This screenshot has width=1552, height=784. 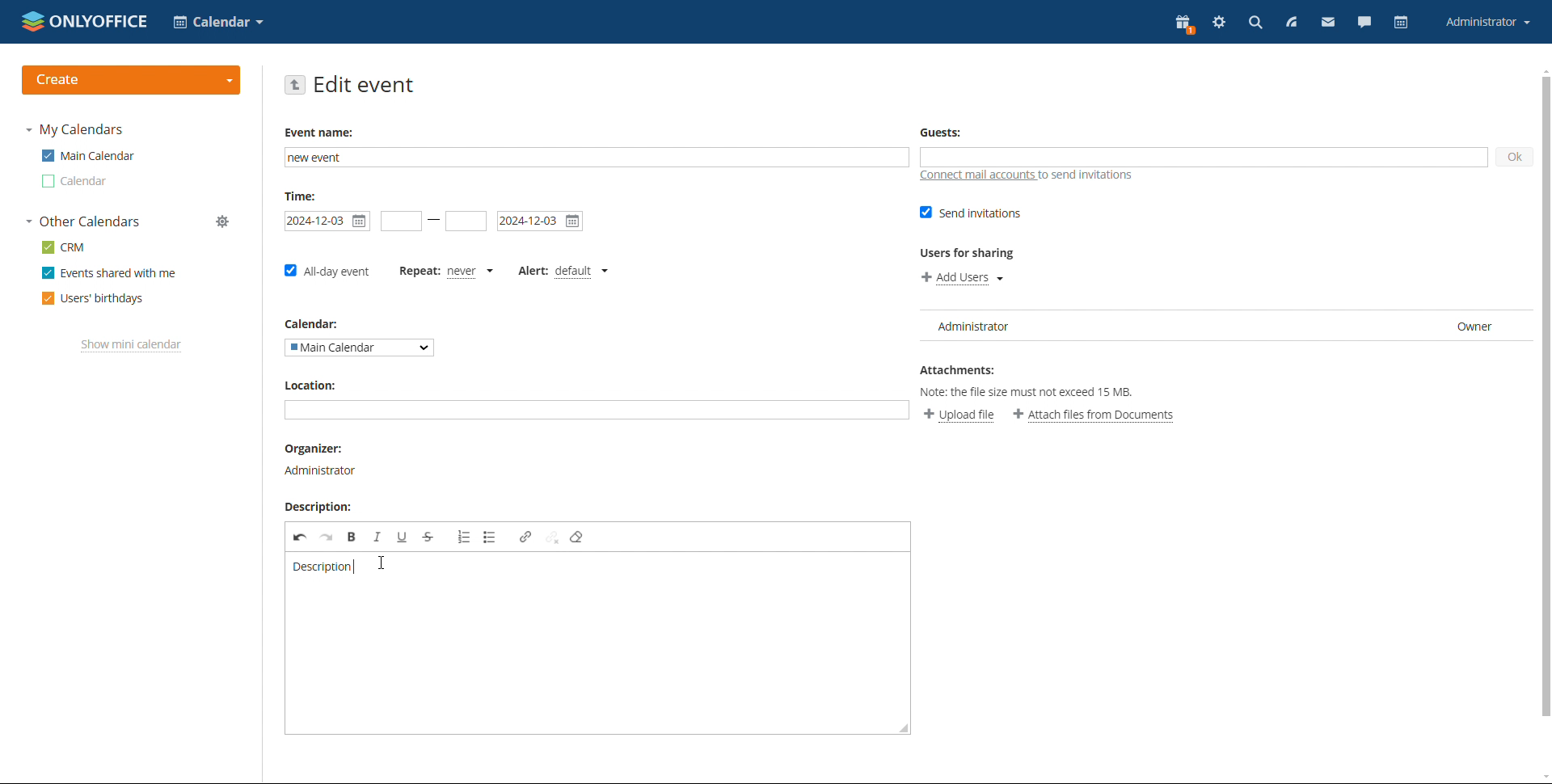 What do you see at coordinates (1031, 393) in the screenshot?
I see `Note: the file size must not exceed 15 MB.` at bounding box center [1031, 393].